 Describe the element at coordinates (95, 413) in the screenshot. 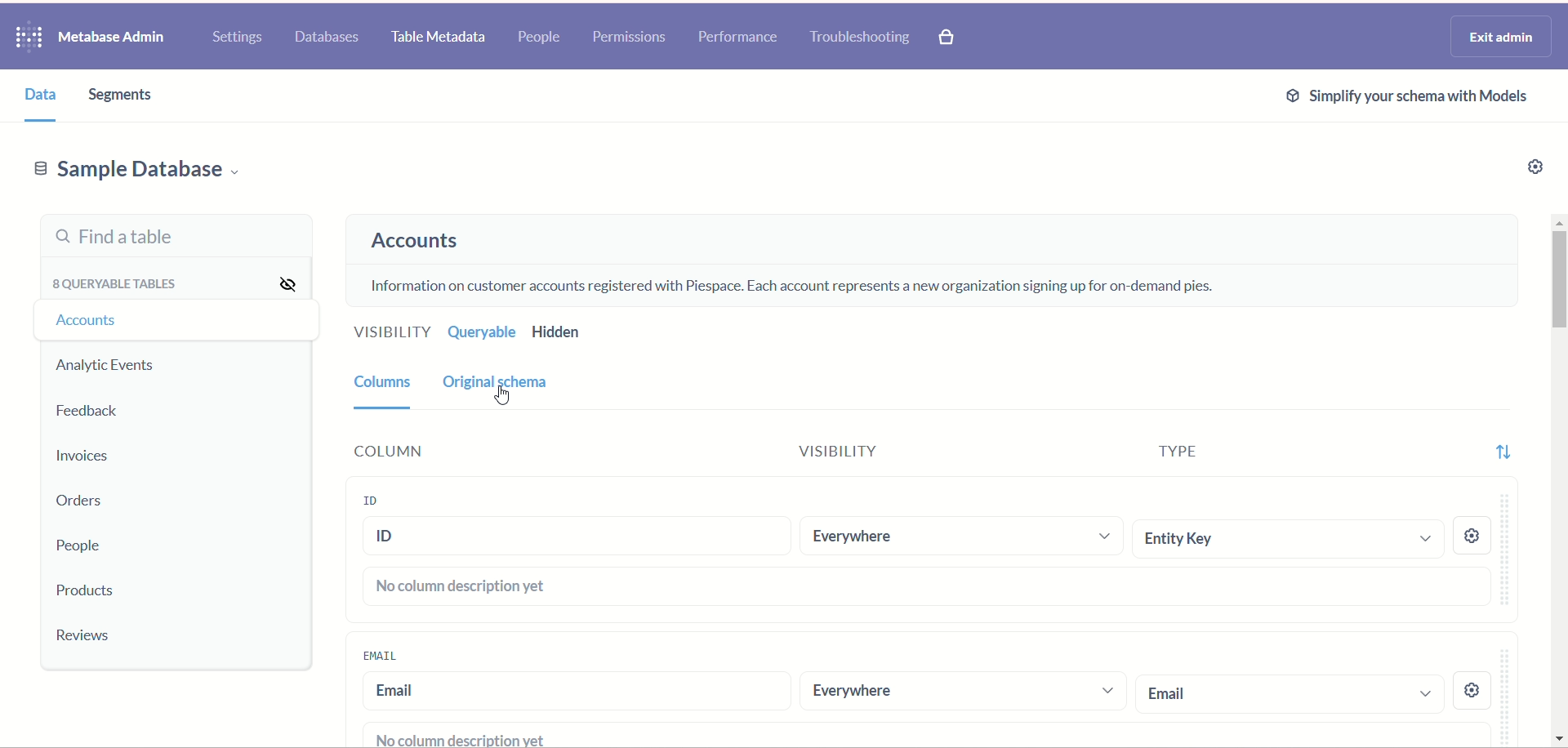

I see `eedback` at that location.